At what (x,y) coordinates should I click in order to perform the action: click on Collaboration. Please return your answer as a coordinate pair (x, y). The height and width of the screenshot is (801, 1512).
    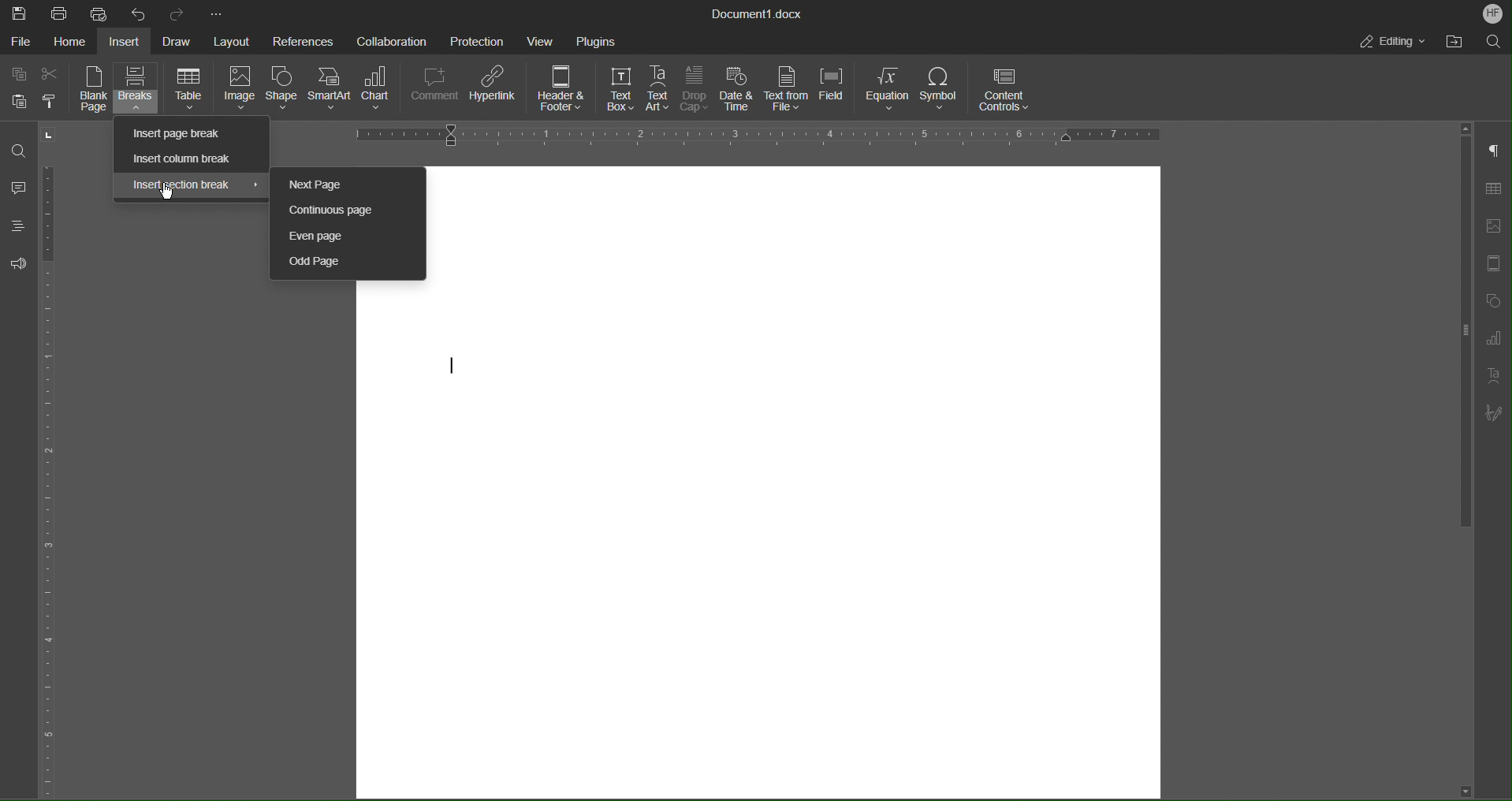
    Looking at the image, I should click on (386, 39).